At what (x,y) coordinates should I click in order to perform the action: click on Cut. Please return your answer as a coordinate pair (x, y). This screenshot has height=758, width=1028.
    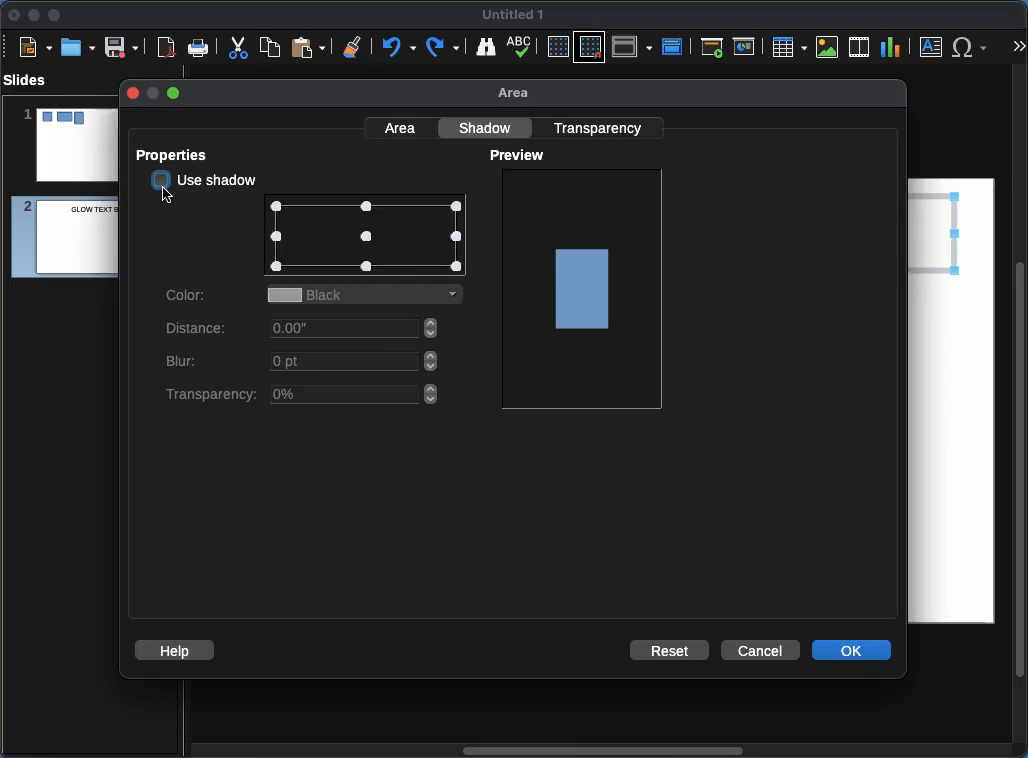
    Looking at the image, I should click on (238, 47).